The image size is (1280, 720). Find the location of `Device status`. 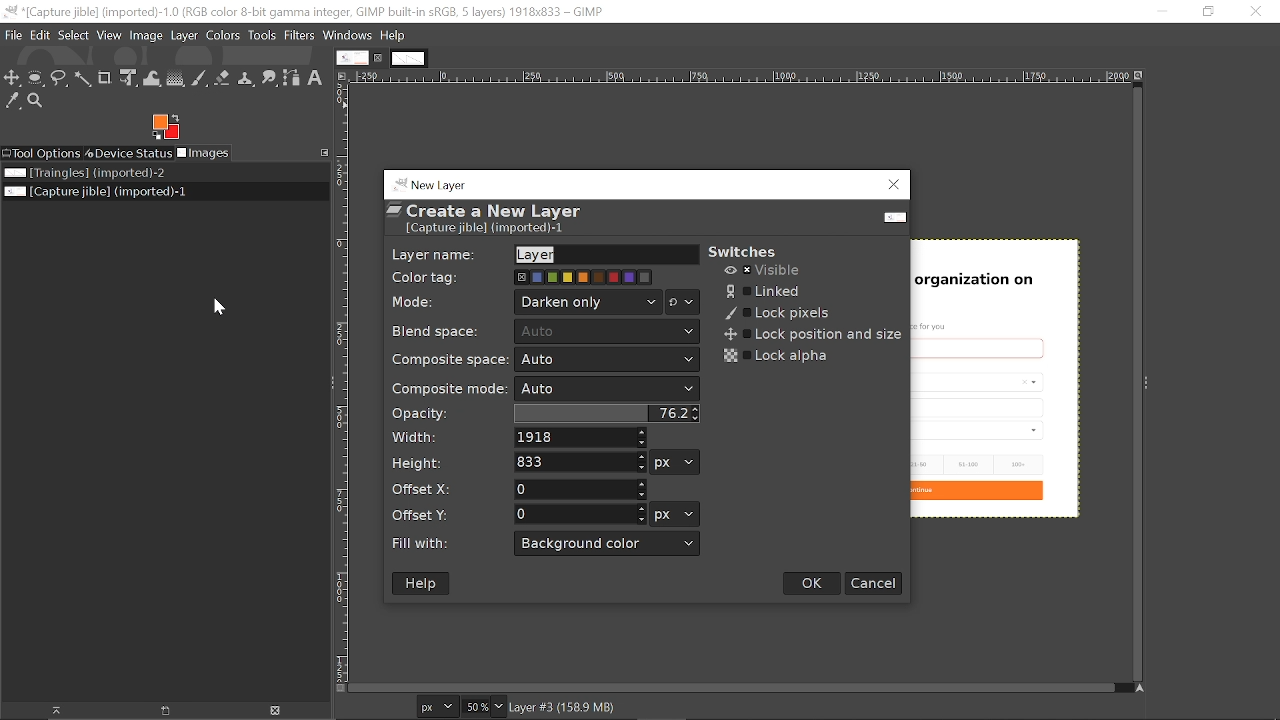

Device status is located at coordinates (129, 154).